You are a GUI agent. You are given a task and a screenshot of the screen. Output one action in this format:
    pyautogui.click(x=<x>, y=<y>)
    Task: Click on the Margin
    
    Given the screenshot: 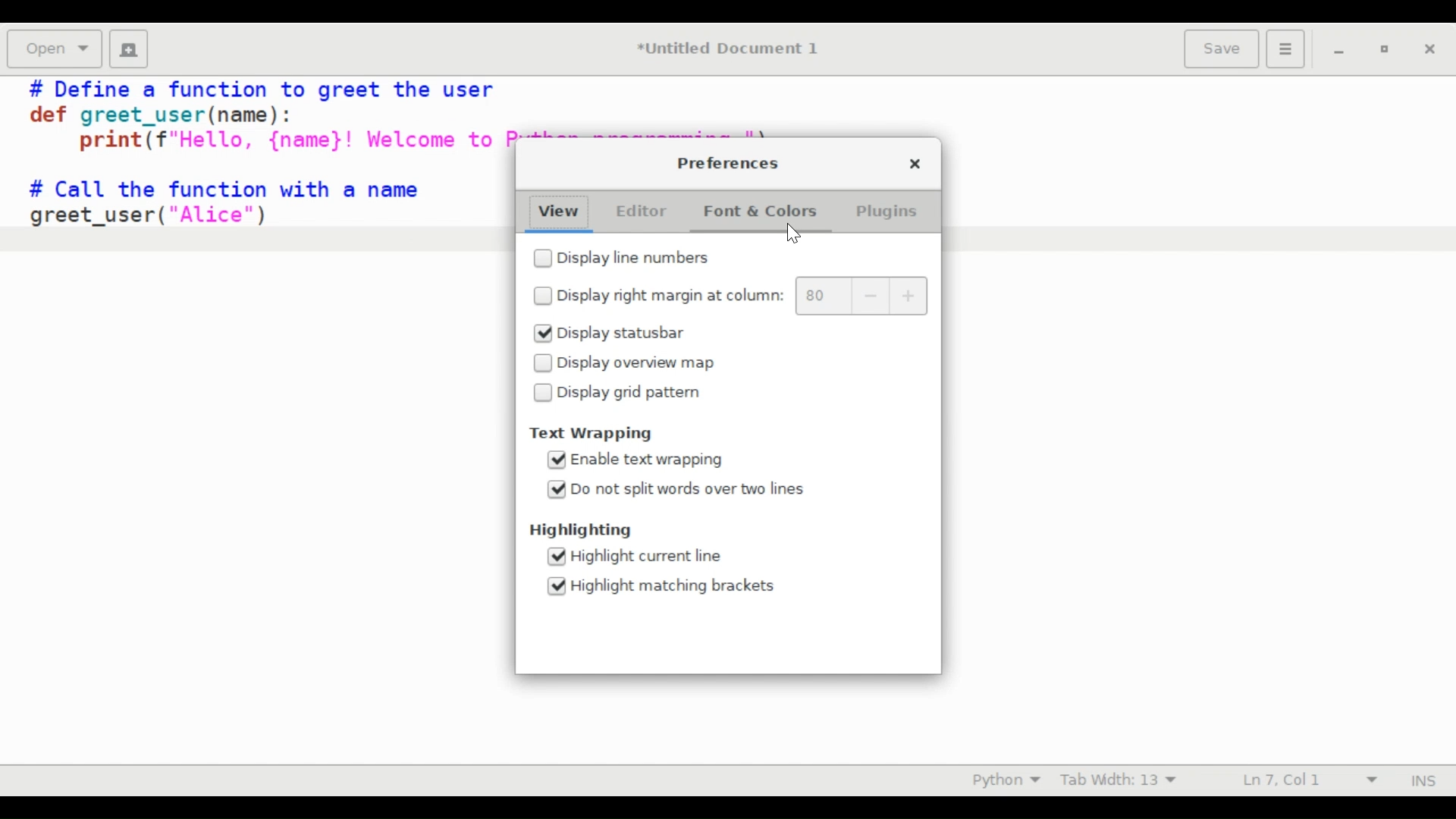 What is the action you would take?
    pyautogui.click(x=861, y=297)
    